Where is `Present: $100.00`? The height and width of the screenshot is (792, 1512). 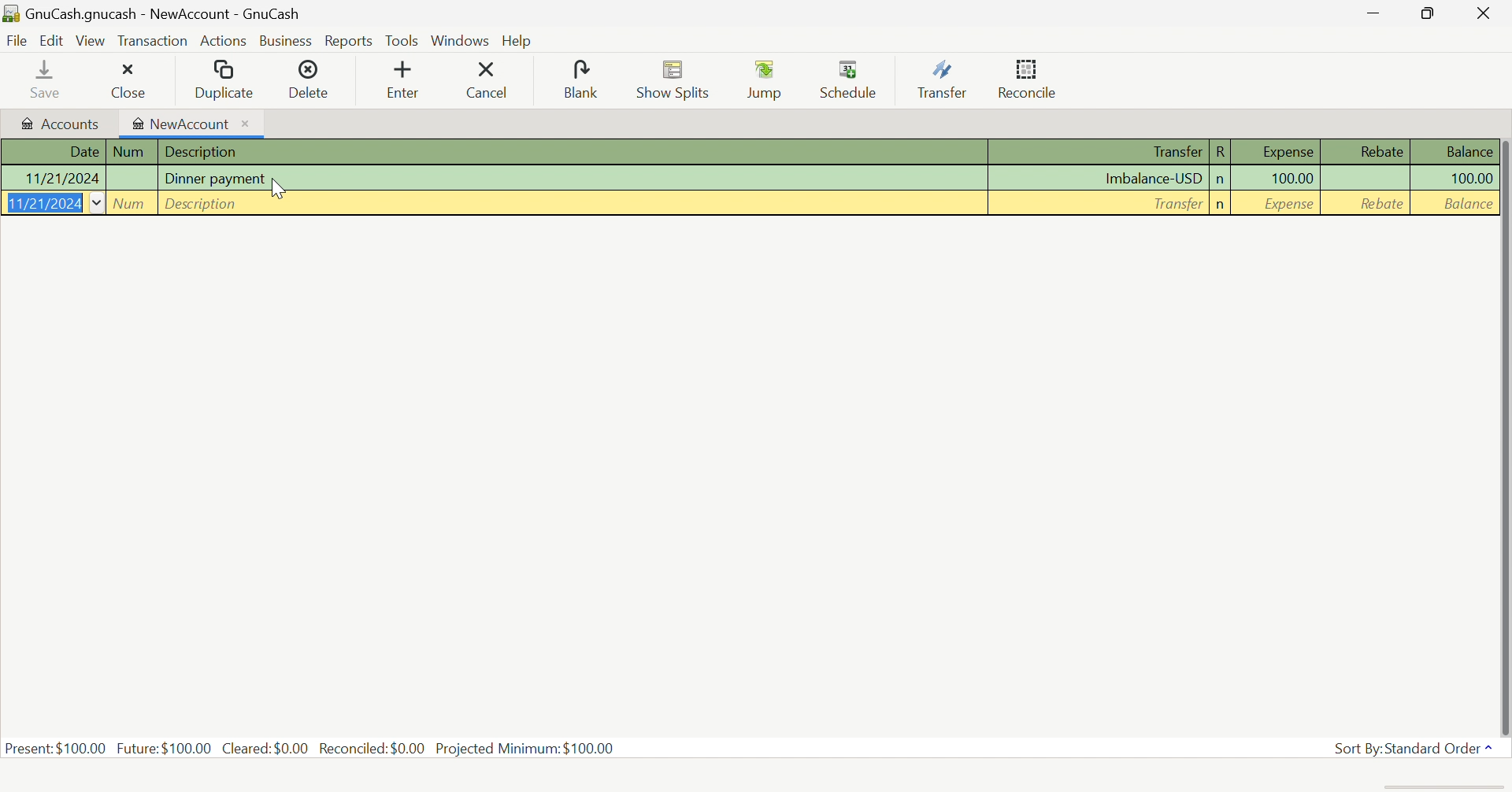 Present: $100.00 is located at coordinates (56, 749).